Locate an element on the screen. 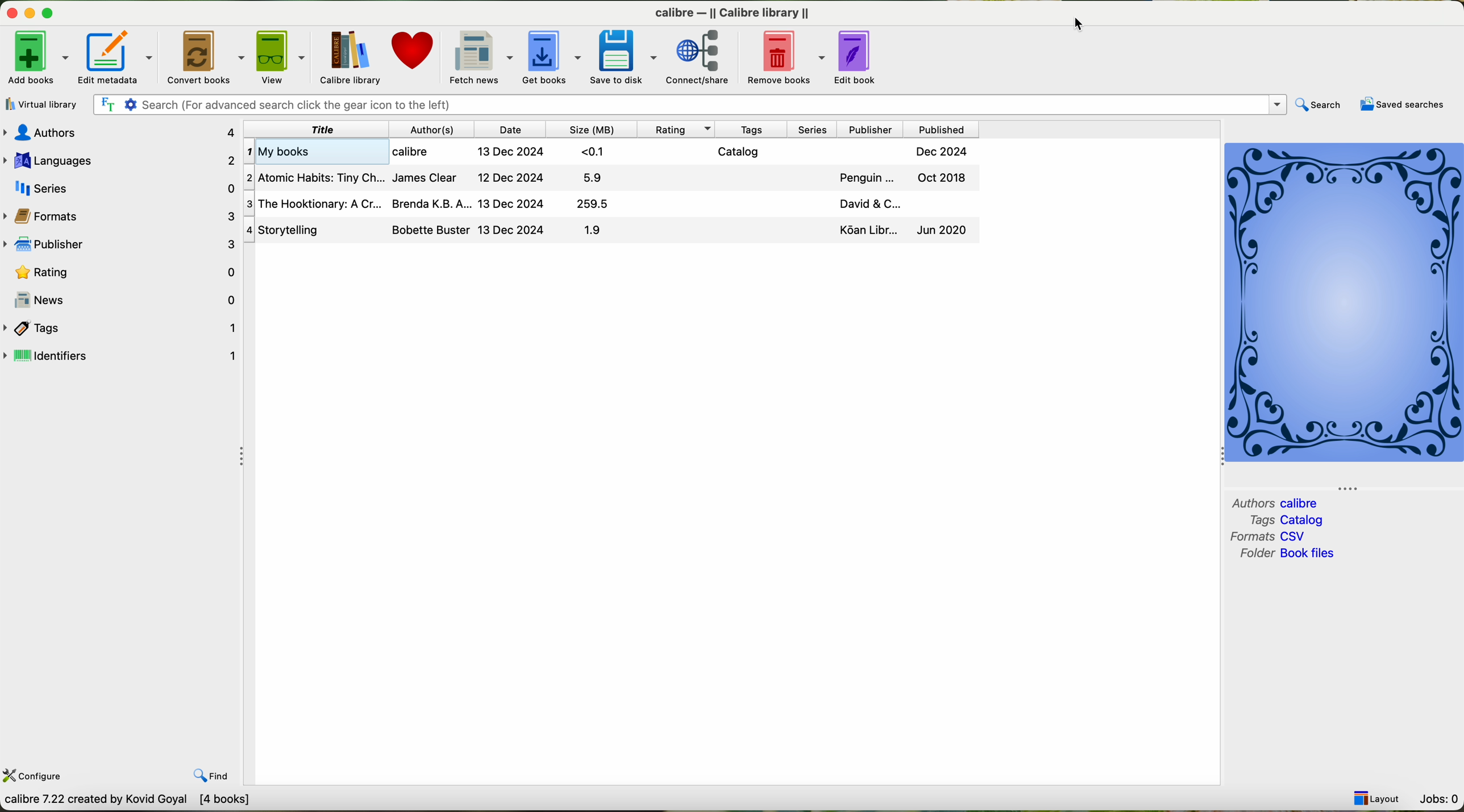  Calibre library is located at coordinates (732, 12).